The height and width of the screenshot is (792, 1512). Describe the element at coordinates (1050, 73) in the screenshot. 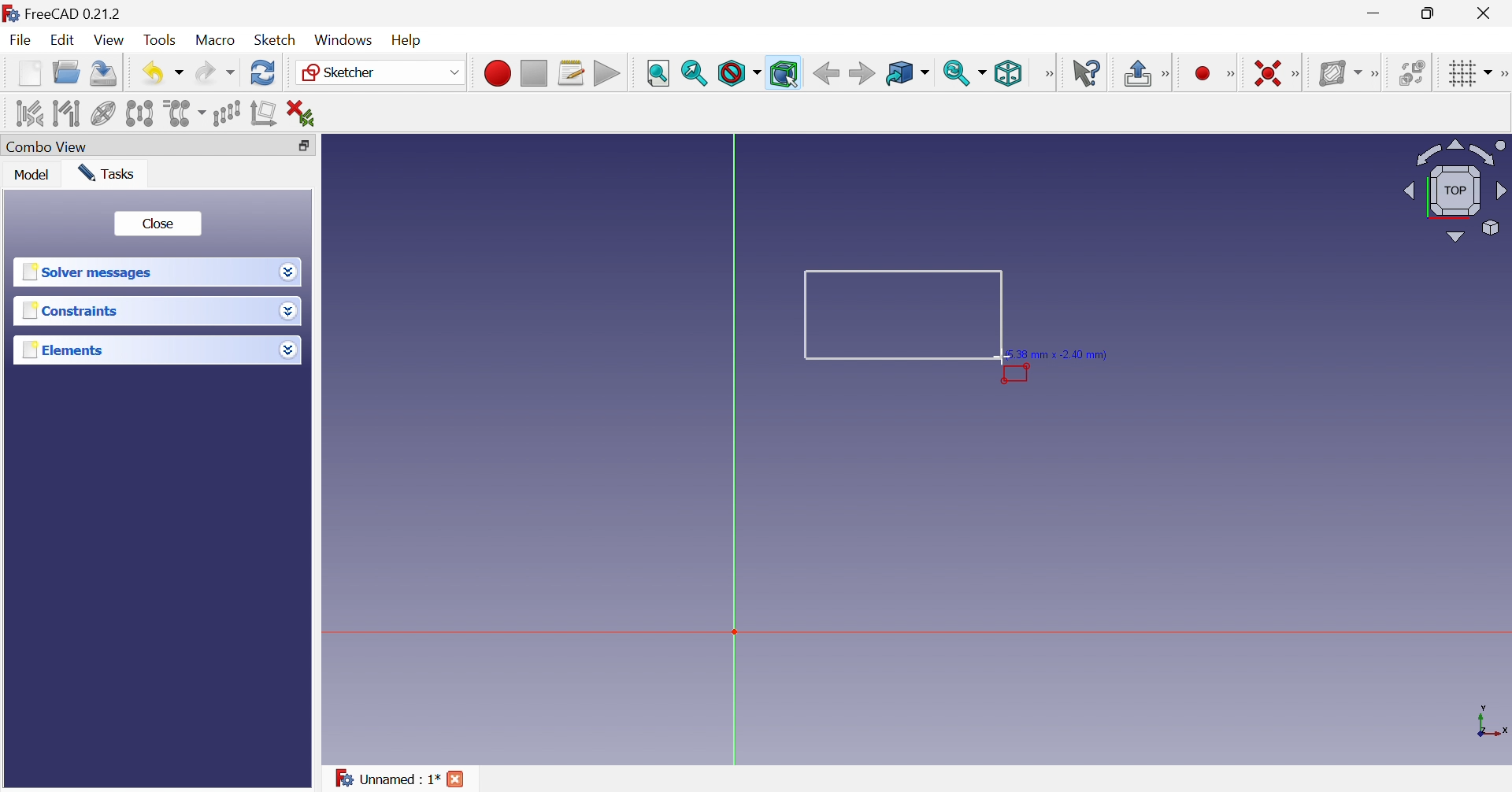

I see `View` at that location.